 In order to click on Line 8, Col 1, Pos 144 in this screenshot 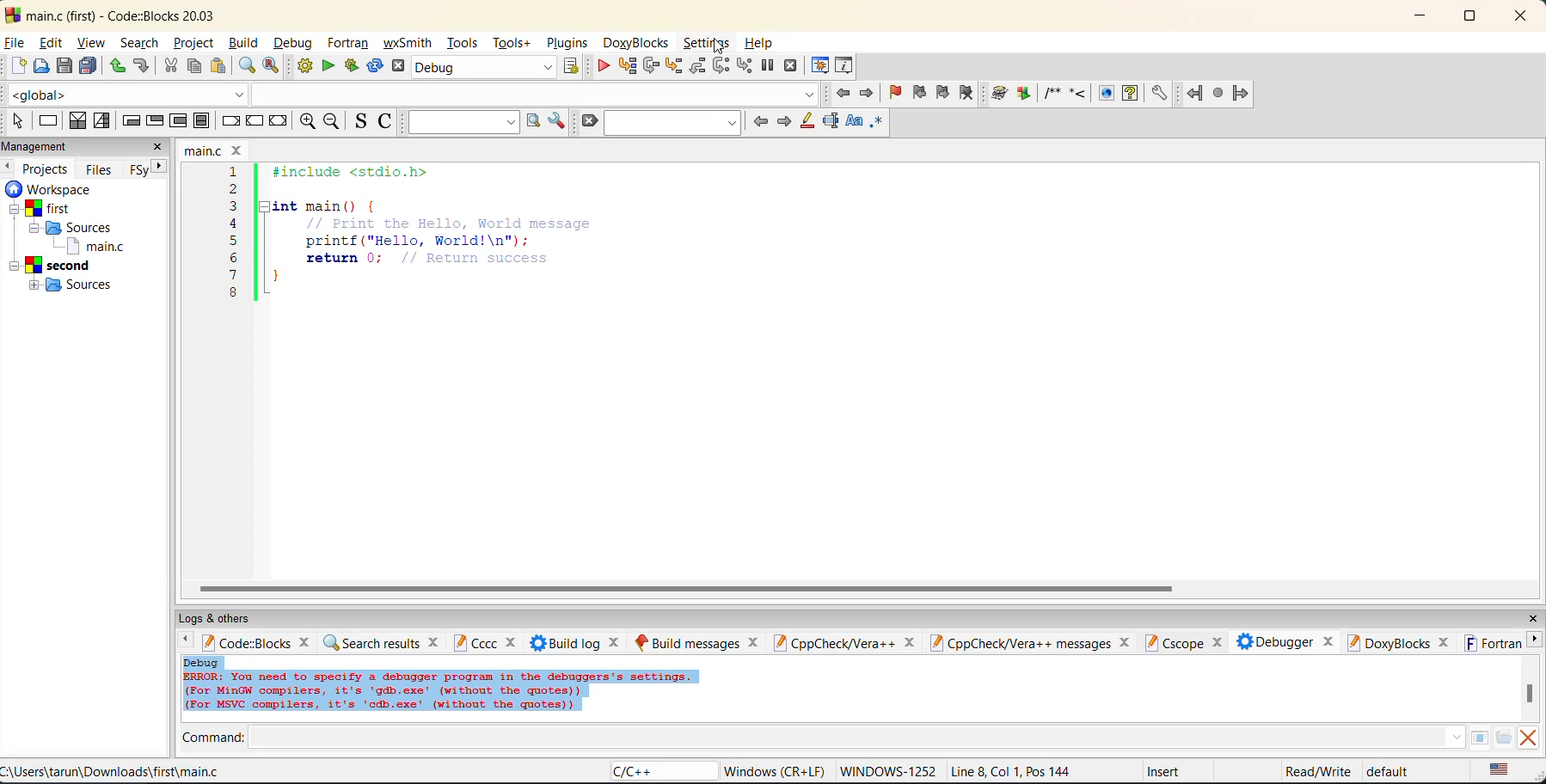, I will do `click(1015, 770)`.